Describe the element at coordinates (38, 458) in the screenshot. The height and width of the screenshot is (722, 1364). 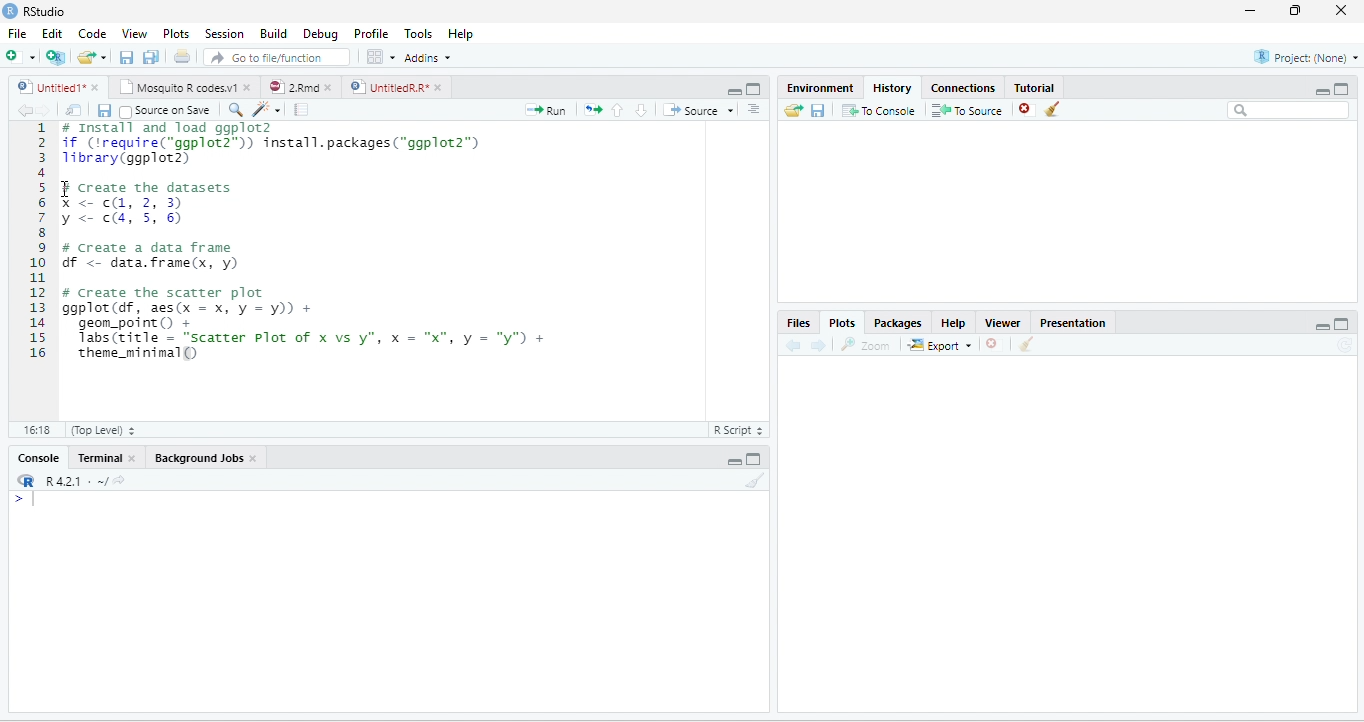
I see `Console` at that location.